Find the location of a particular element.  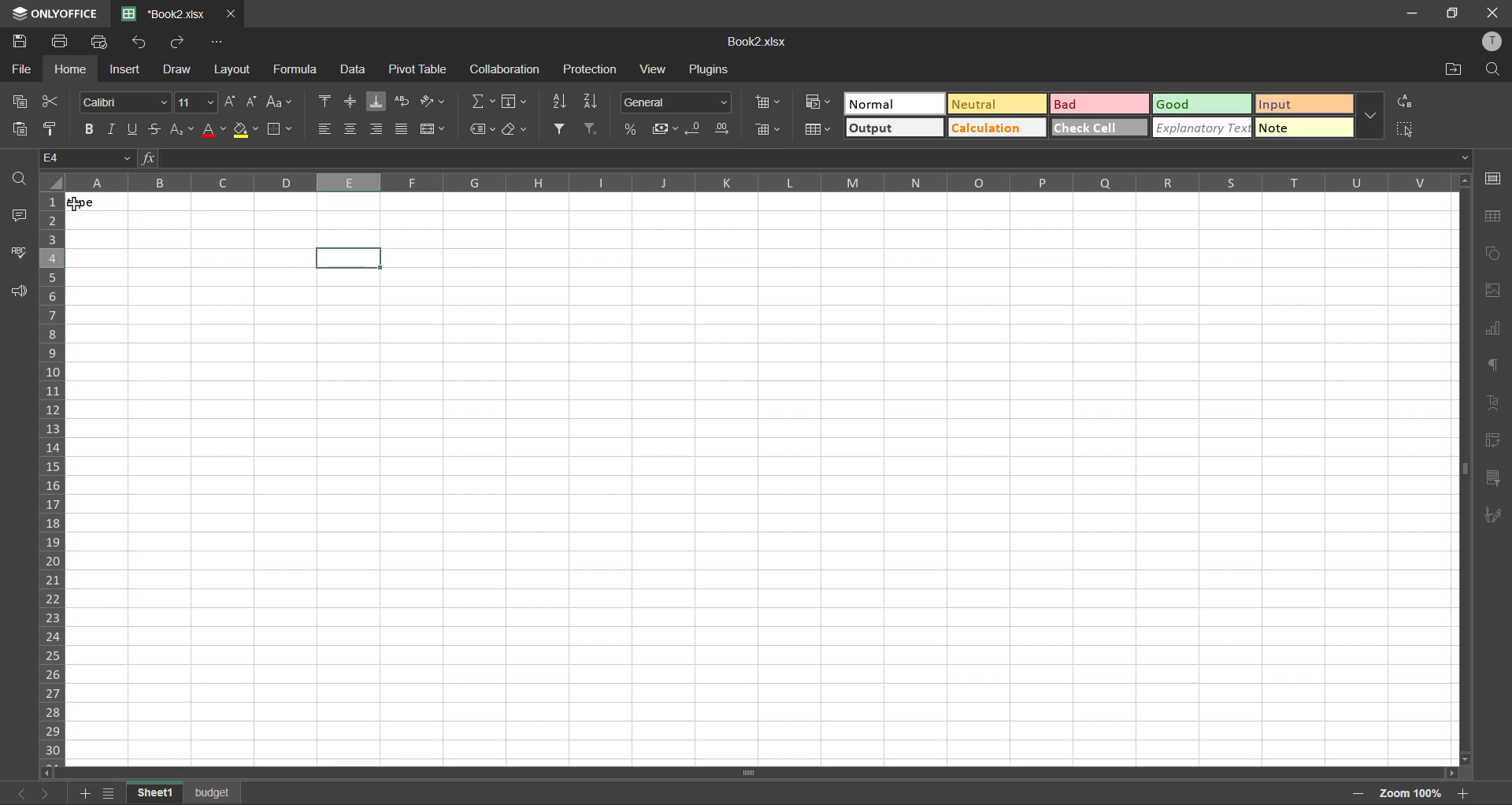

named ranges is located at coordinates (478, 127).